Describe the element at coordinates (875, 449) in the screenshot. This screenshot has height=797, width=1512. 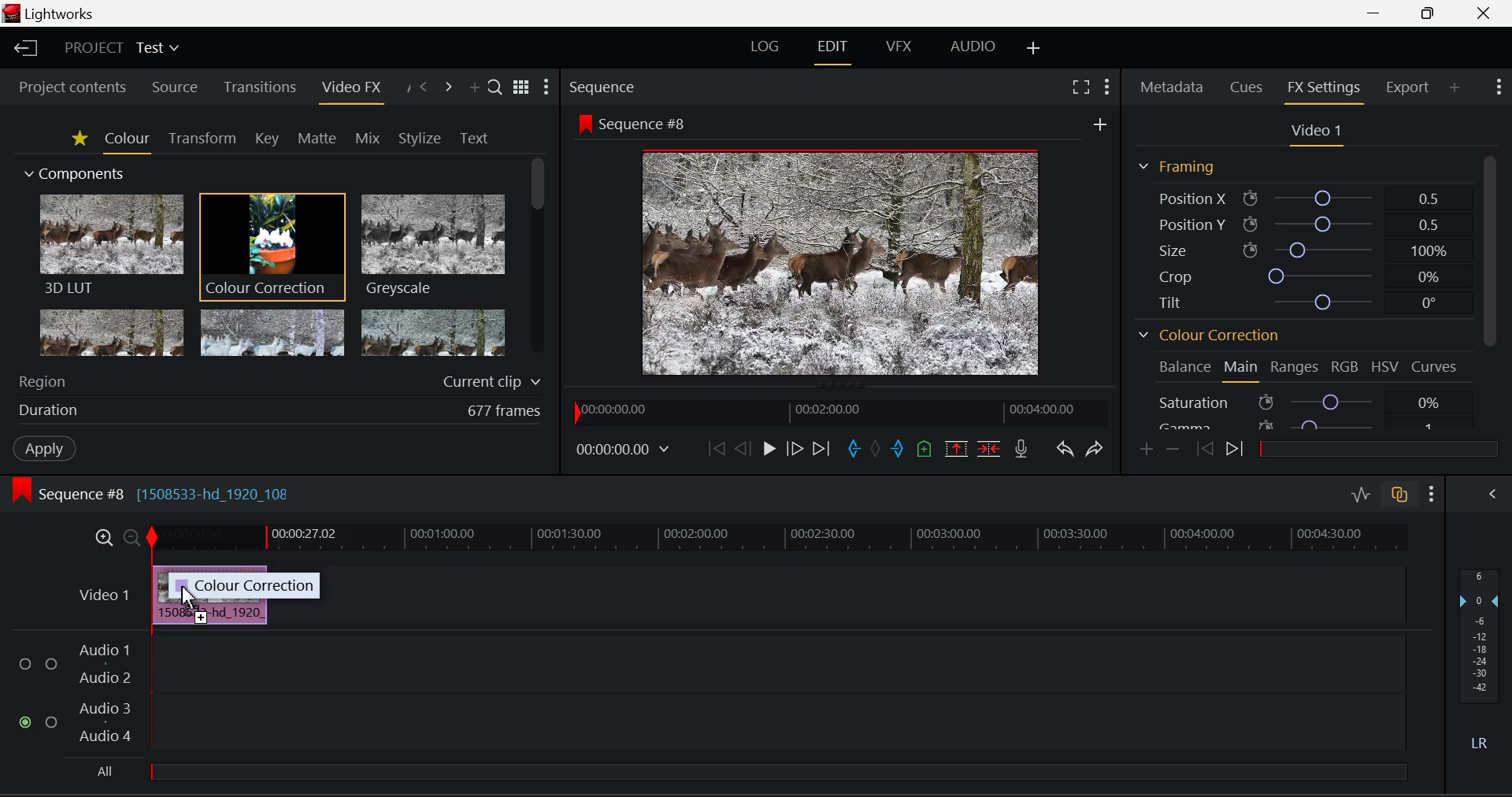
I see `Remove all marks` at that location.